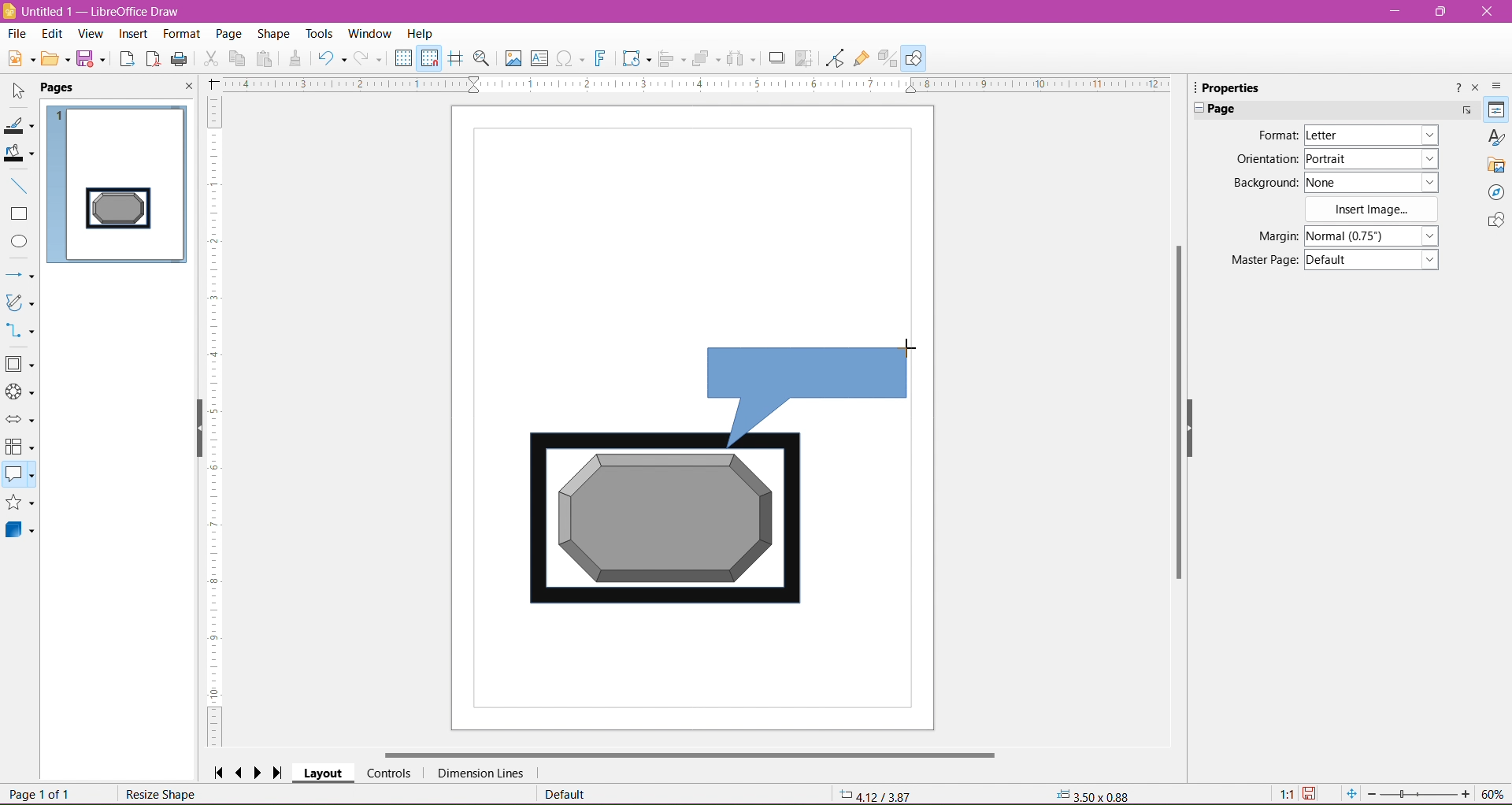 The width and height of the screenshot is (1512, 805). I want to click on Page 1, so click(119, 180).